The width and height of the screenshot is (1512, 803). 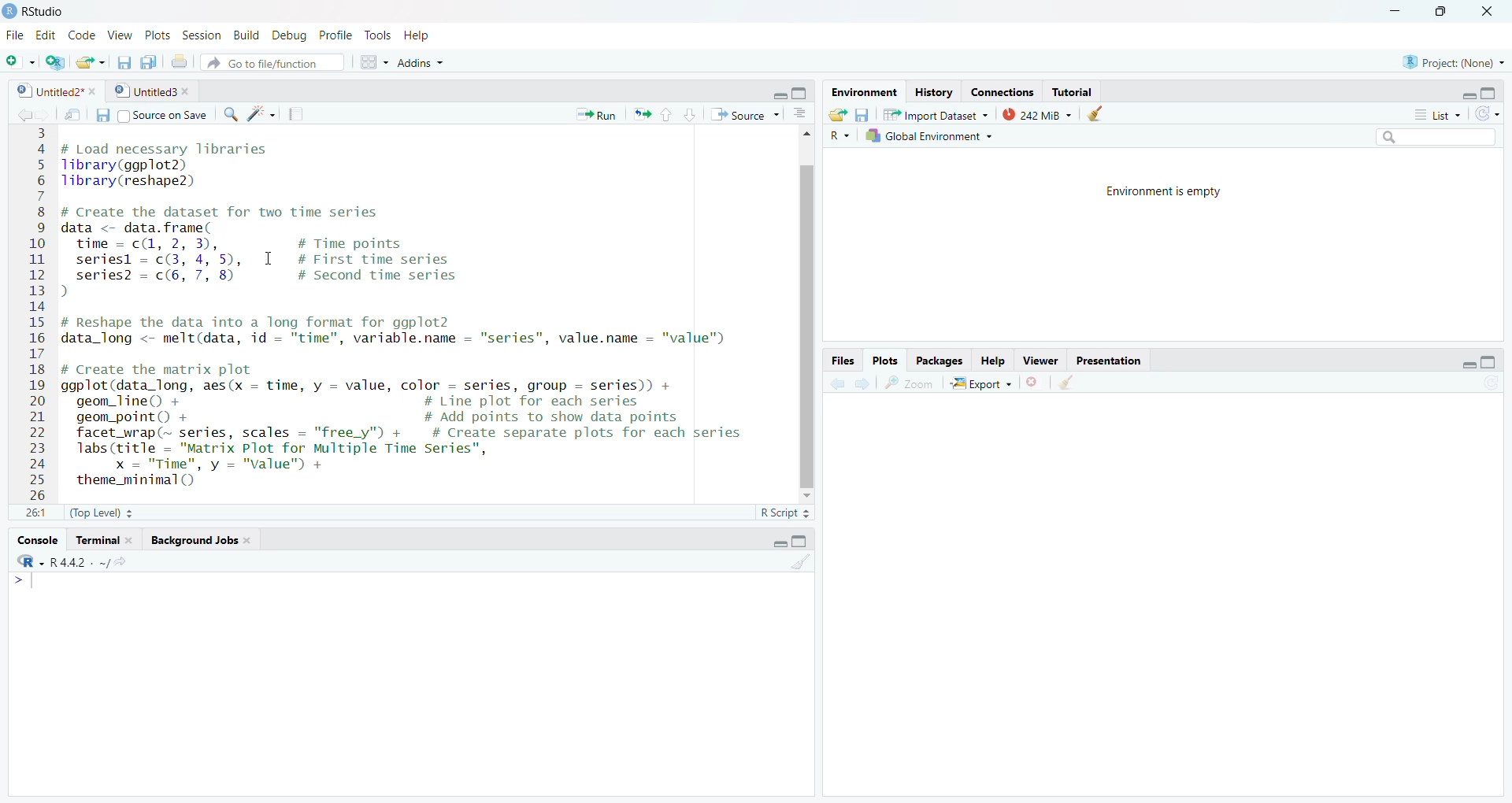 What do you see at coordinates (1453, 61) in the screenshot?
I see `Project: (None) ` at bounding box center [1453, 61].